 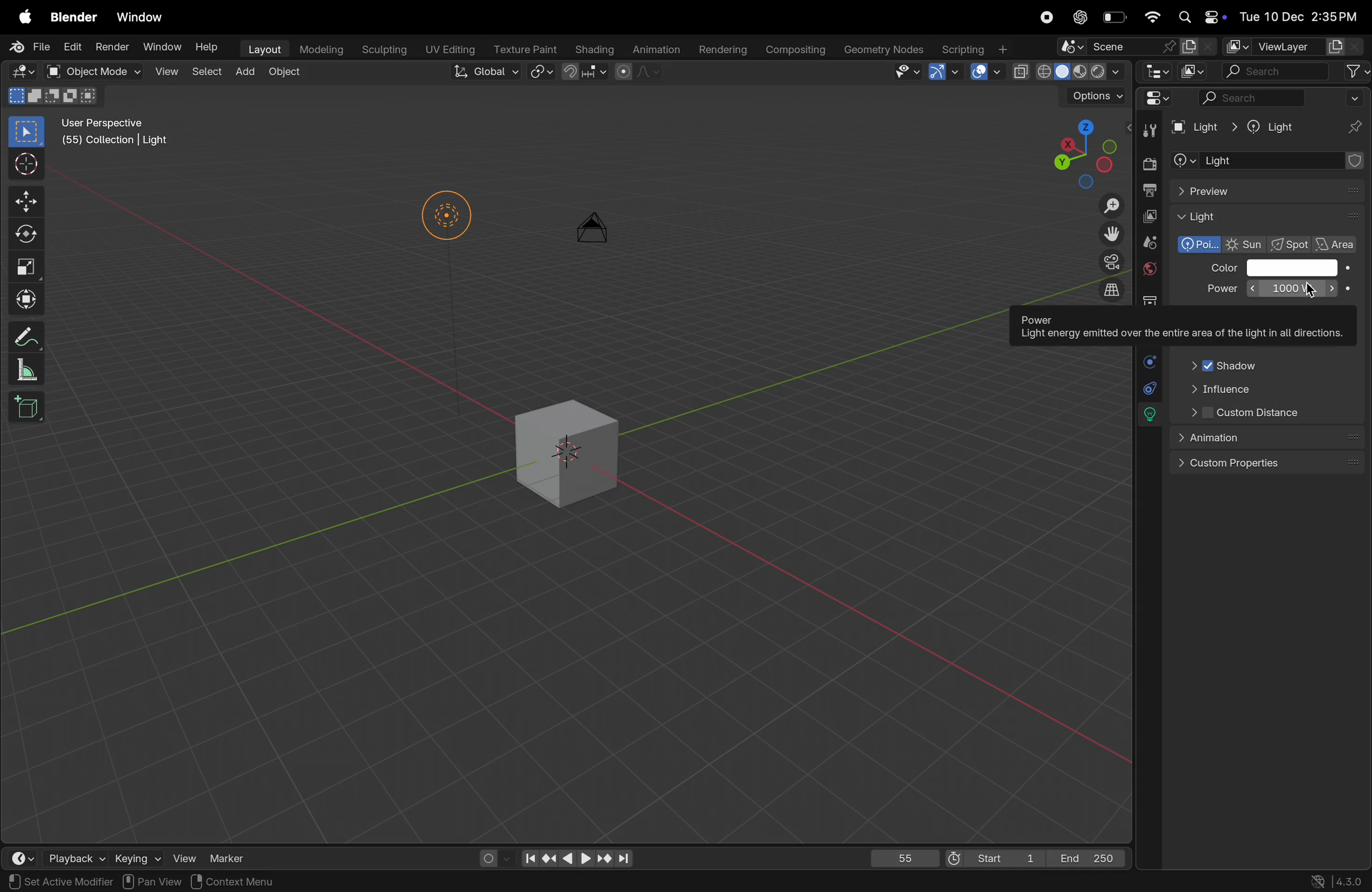 I want to click on area, so click(x=1339, y=243).